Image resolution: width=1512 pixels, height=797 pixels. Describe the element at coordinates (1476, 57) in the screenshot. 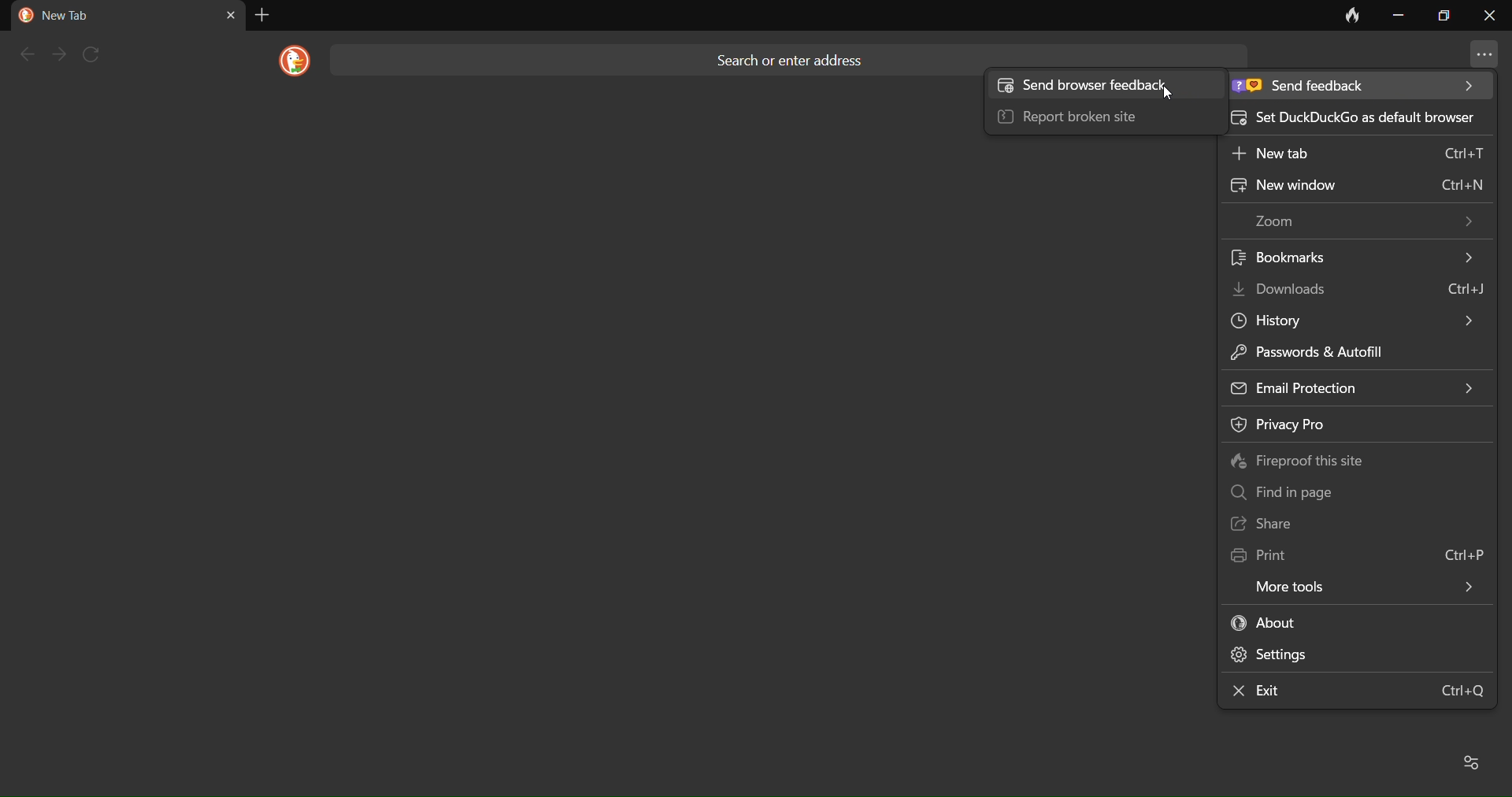

I see `more` at that location.